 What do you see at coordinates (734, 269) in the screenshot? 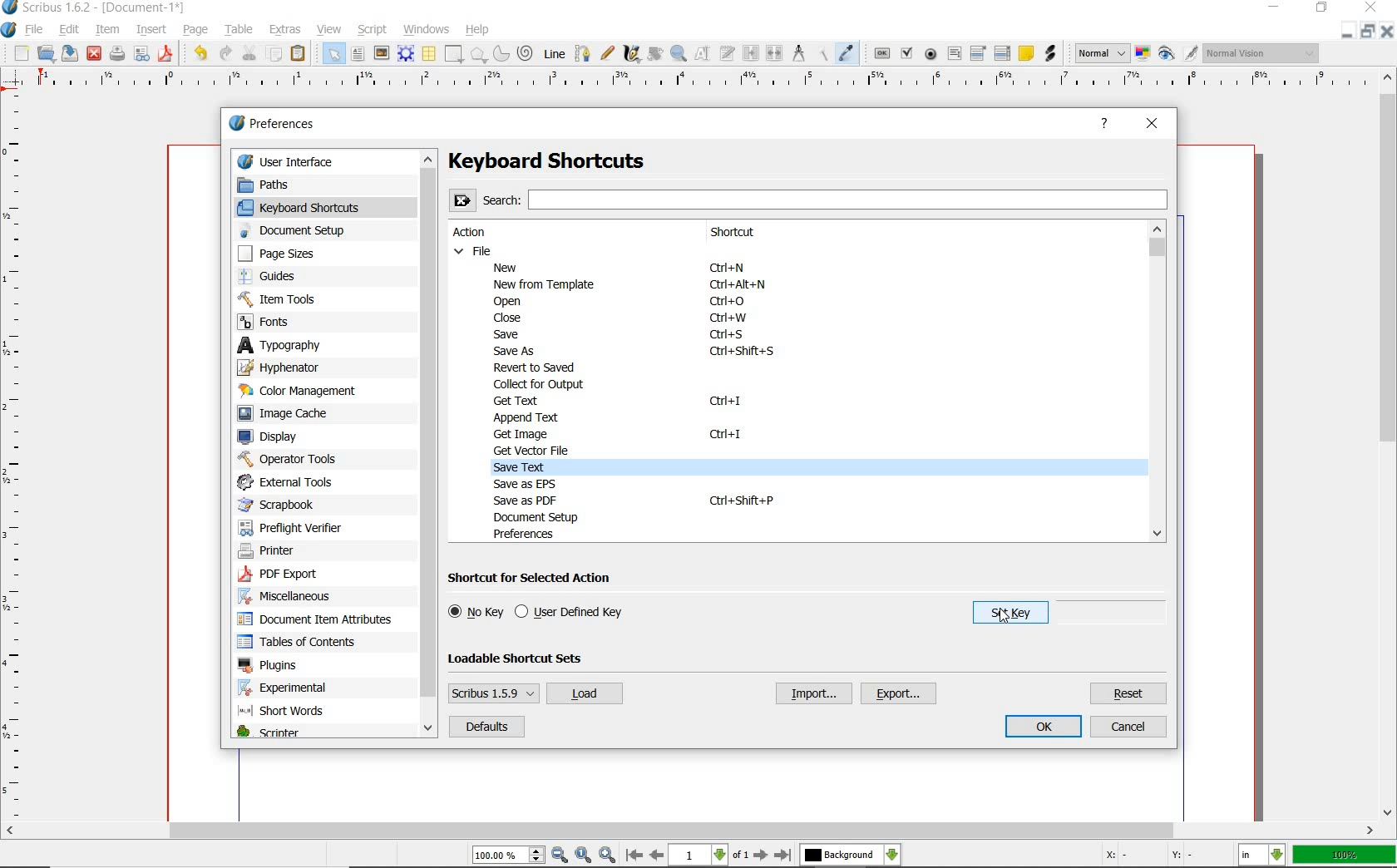
I see `Ctrl + N` at bounding box center [734, 269].